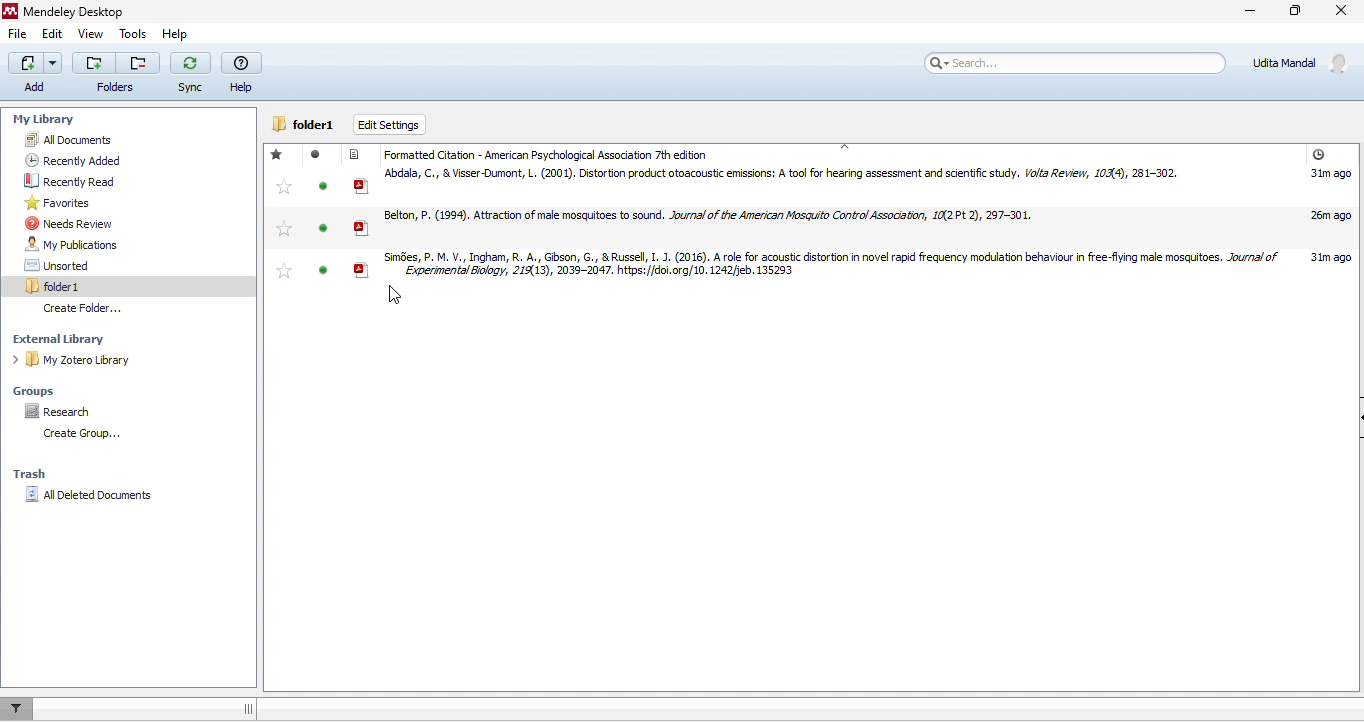 The image size is (1364, 722). What do you see at coordinates (98, 308) in the screenshot?
I see `create folder` at bounding box center [98, 308].